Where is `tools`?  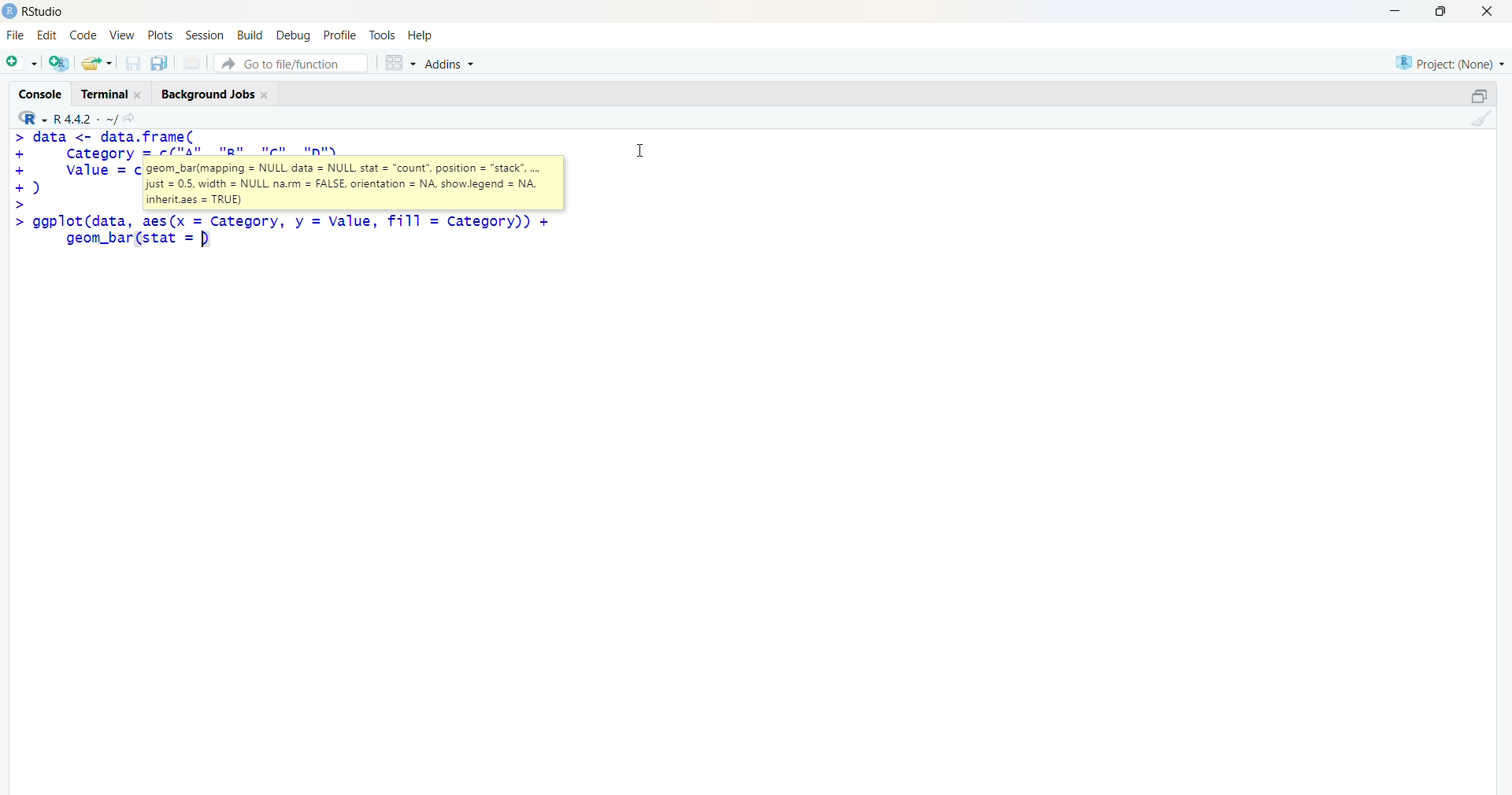 tools is located at coordinates (384, 35).